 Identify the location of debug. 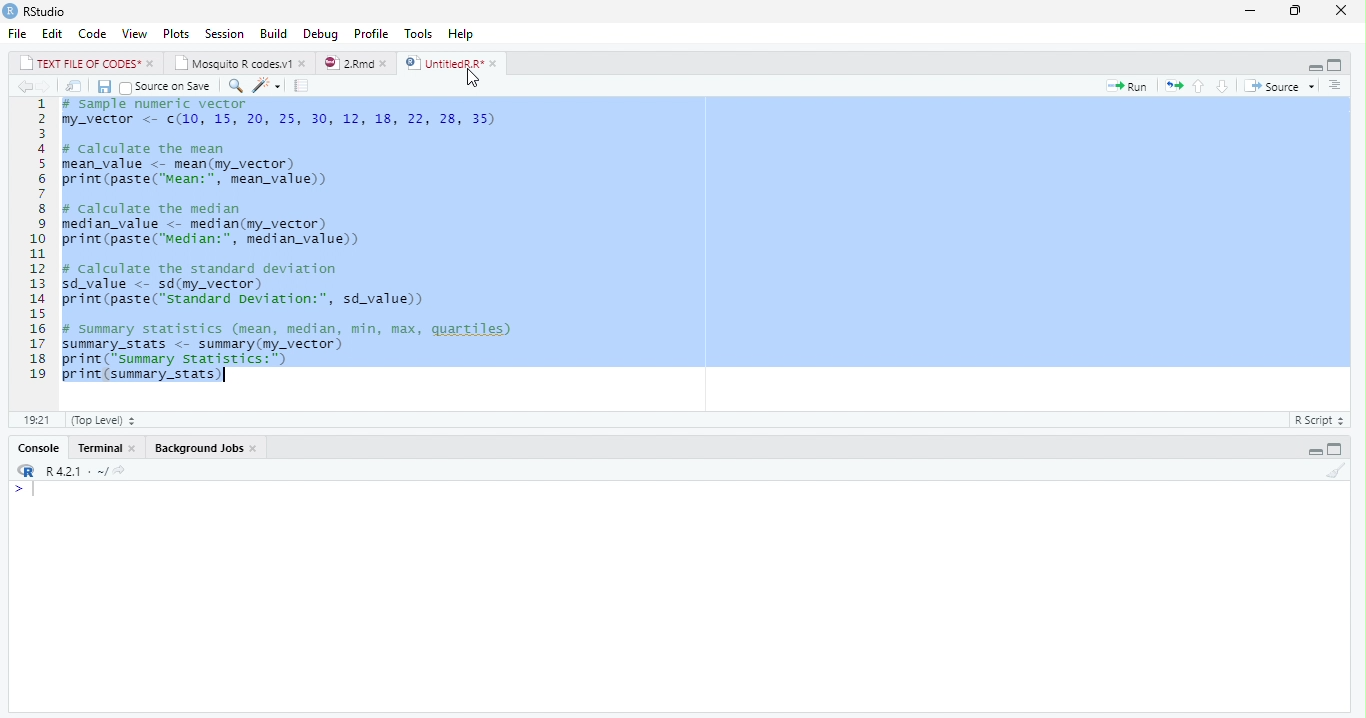
(321, 33).